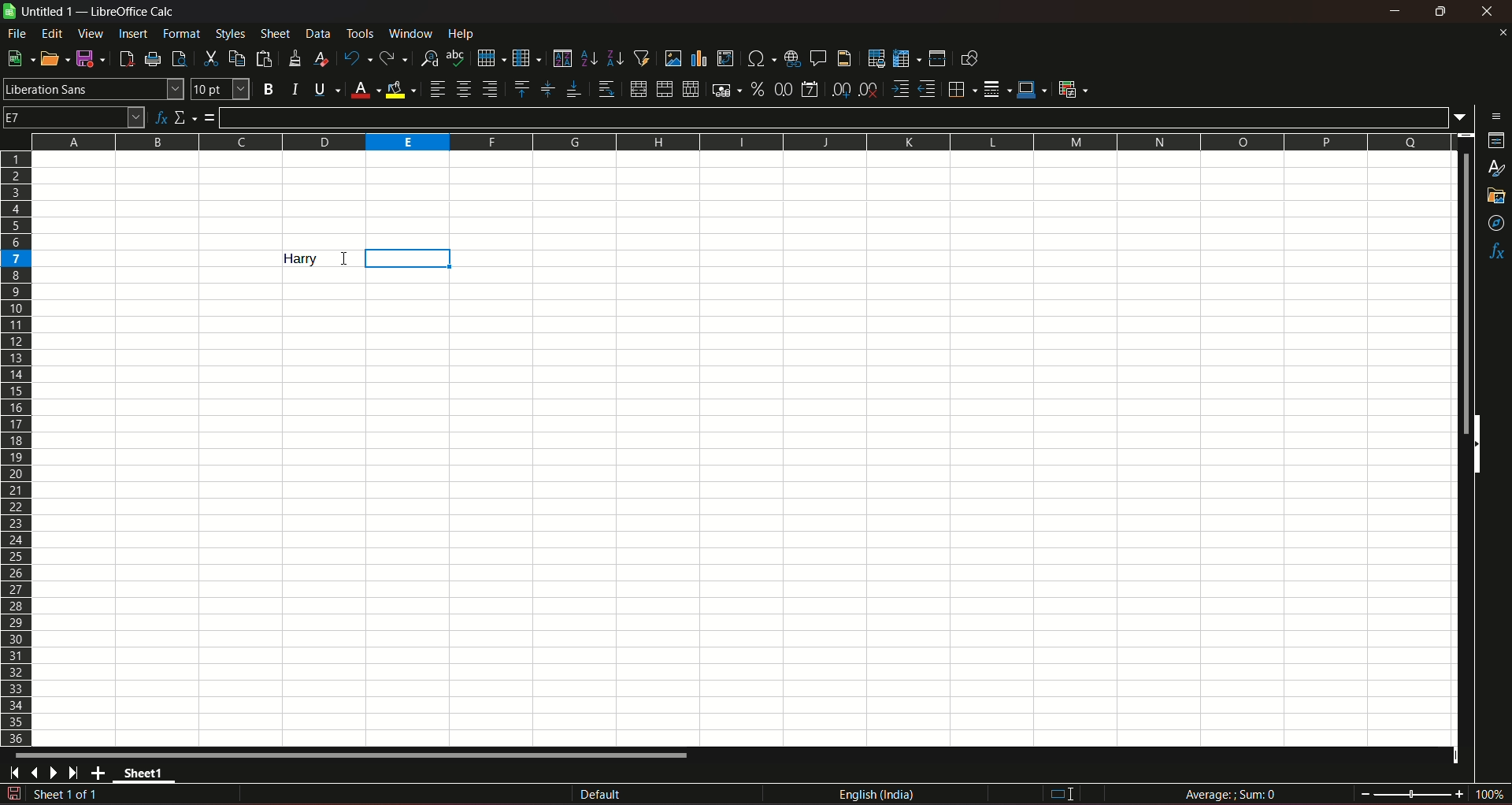 The width and height of the screenshot is (1512, 805). I want to click on spelling, so click(457, 58).